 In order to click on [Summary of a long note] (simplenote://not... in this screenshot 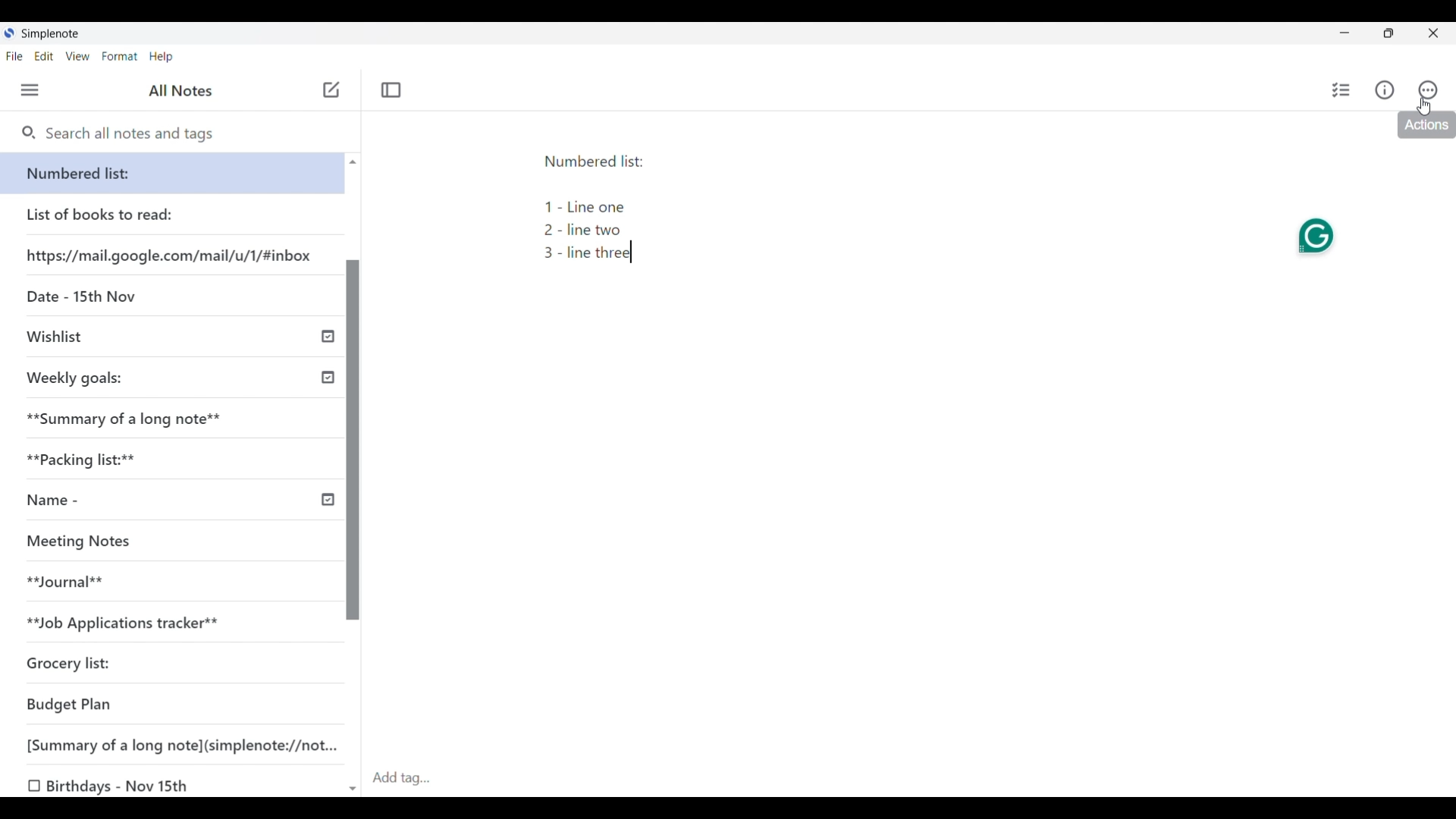, I will do `click(171, 743)`.